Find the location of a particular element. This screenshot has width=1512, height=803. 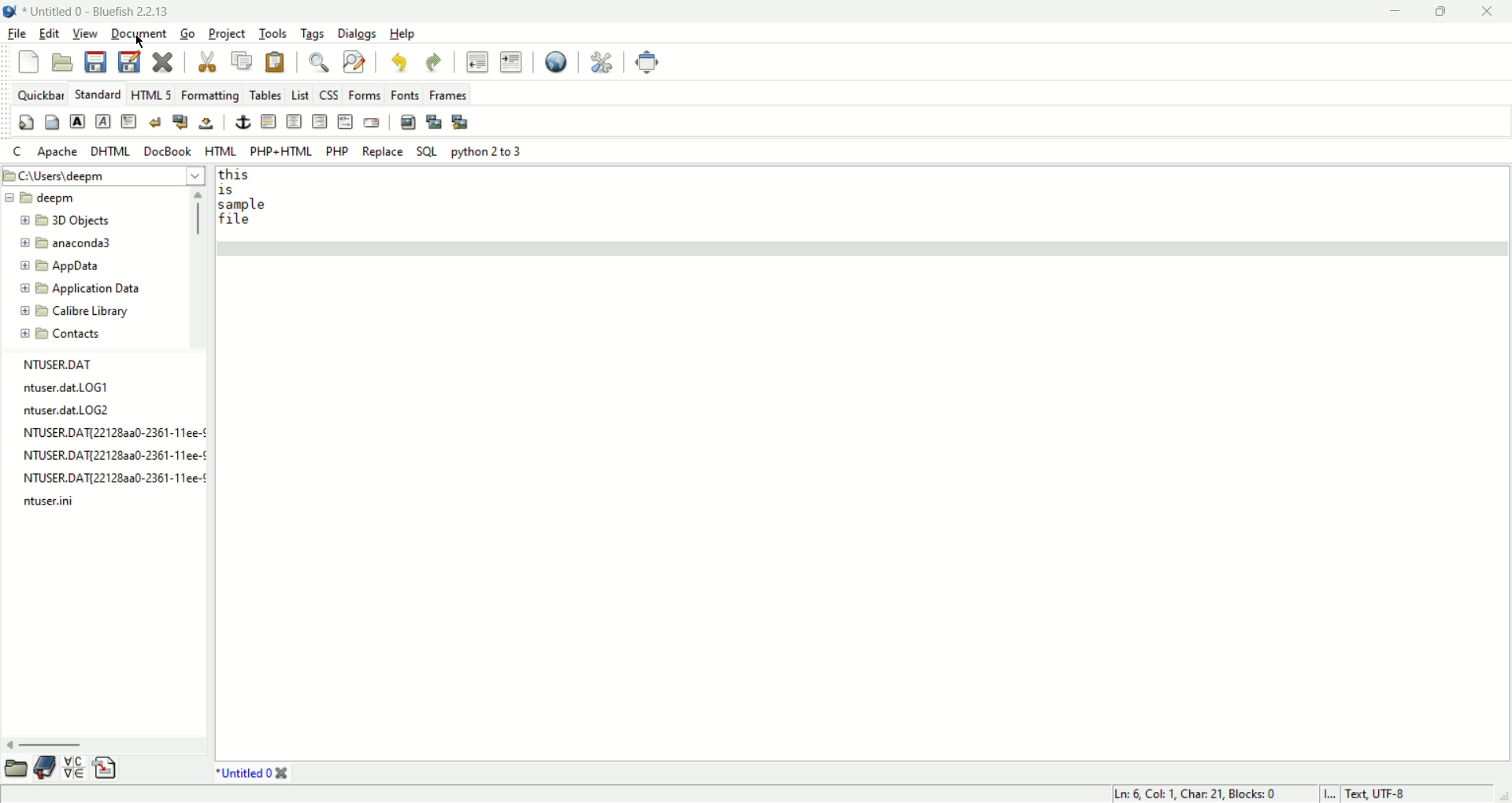

email is located at coordinates (372, 123).